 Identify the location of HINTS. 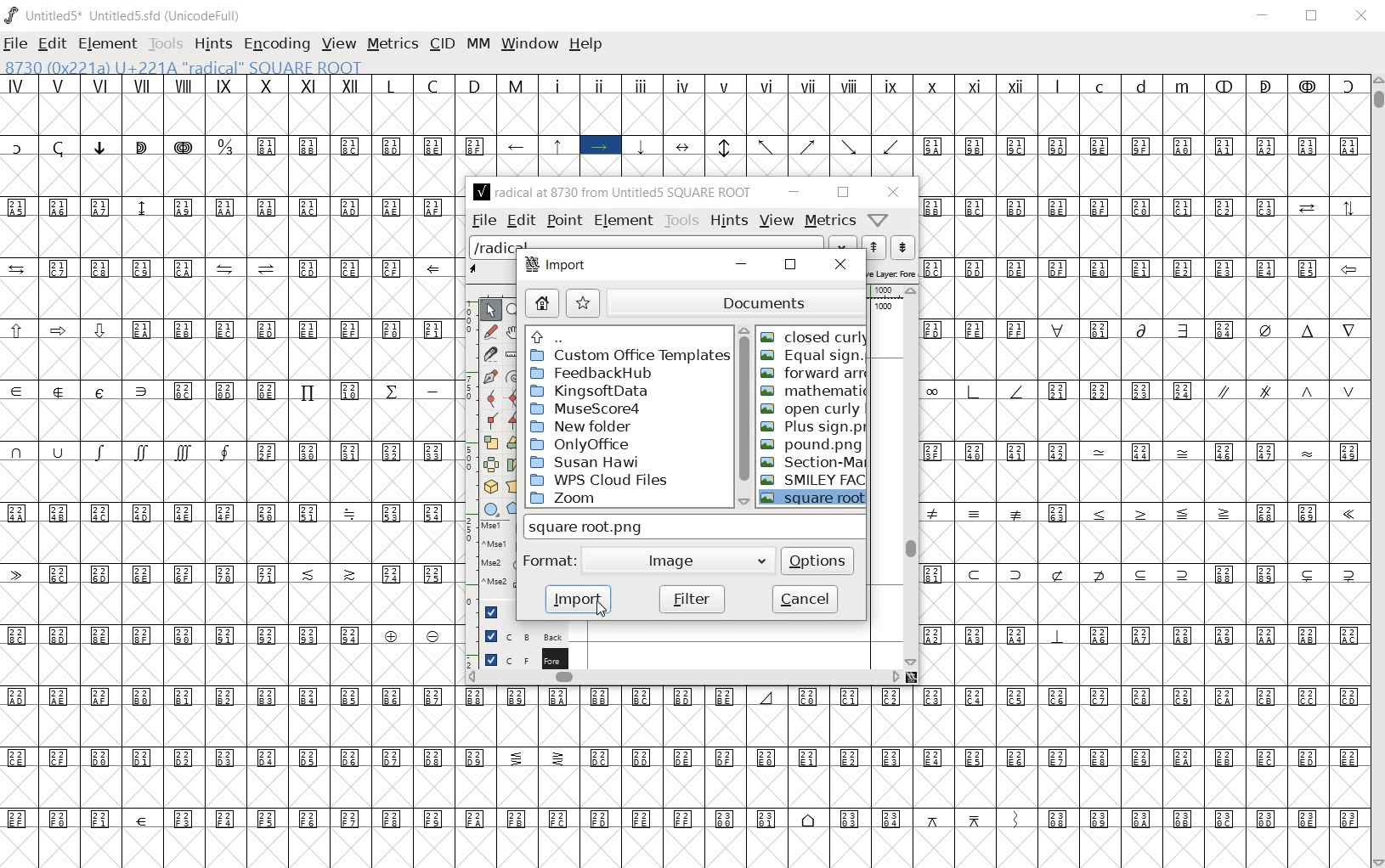
(212, 45).